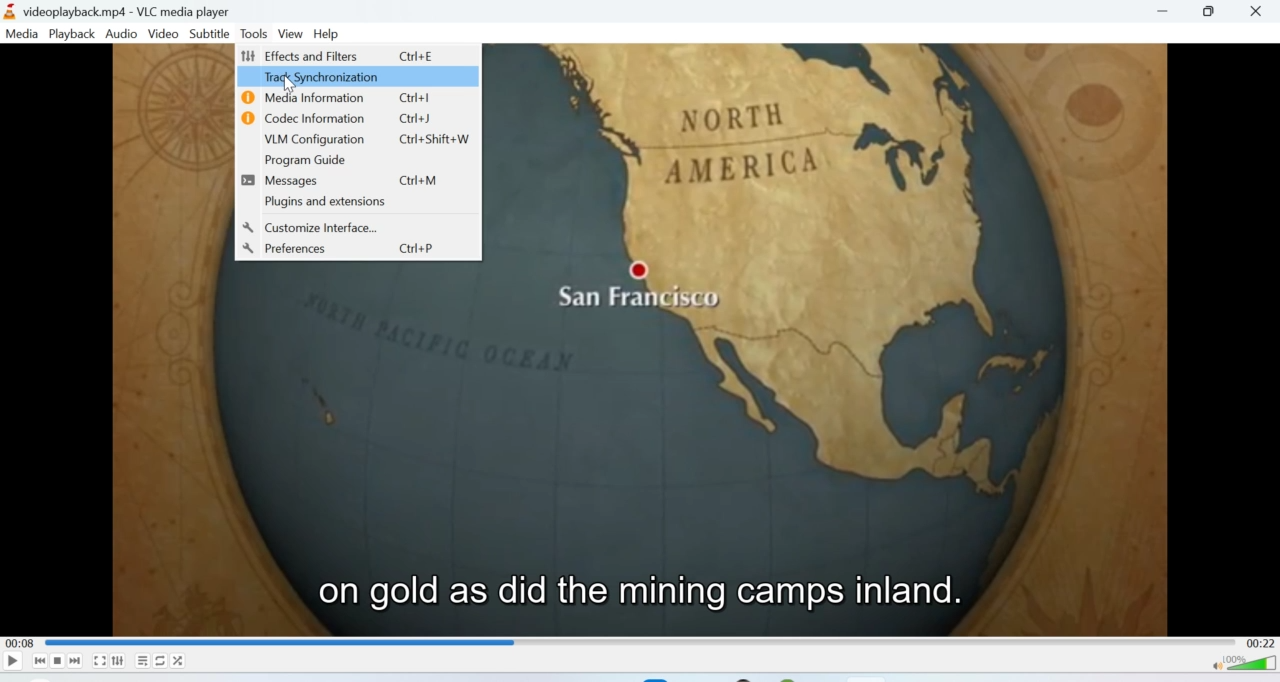 The width and height of the screenshot is (1280, 682). What do you see at coordinates (291, 34) in the screenshot?
I see `View` at bounding box center [291, 34].